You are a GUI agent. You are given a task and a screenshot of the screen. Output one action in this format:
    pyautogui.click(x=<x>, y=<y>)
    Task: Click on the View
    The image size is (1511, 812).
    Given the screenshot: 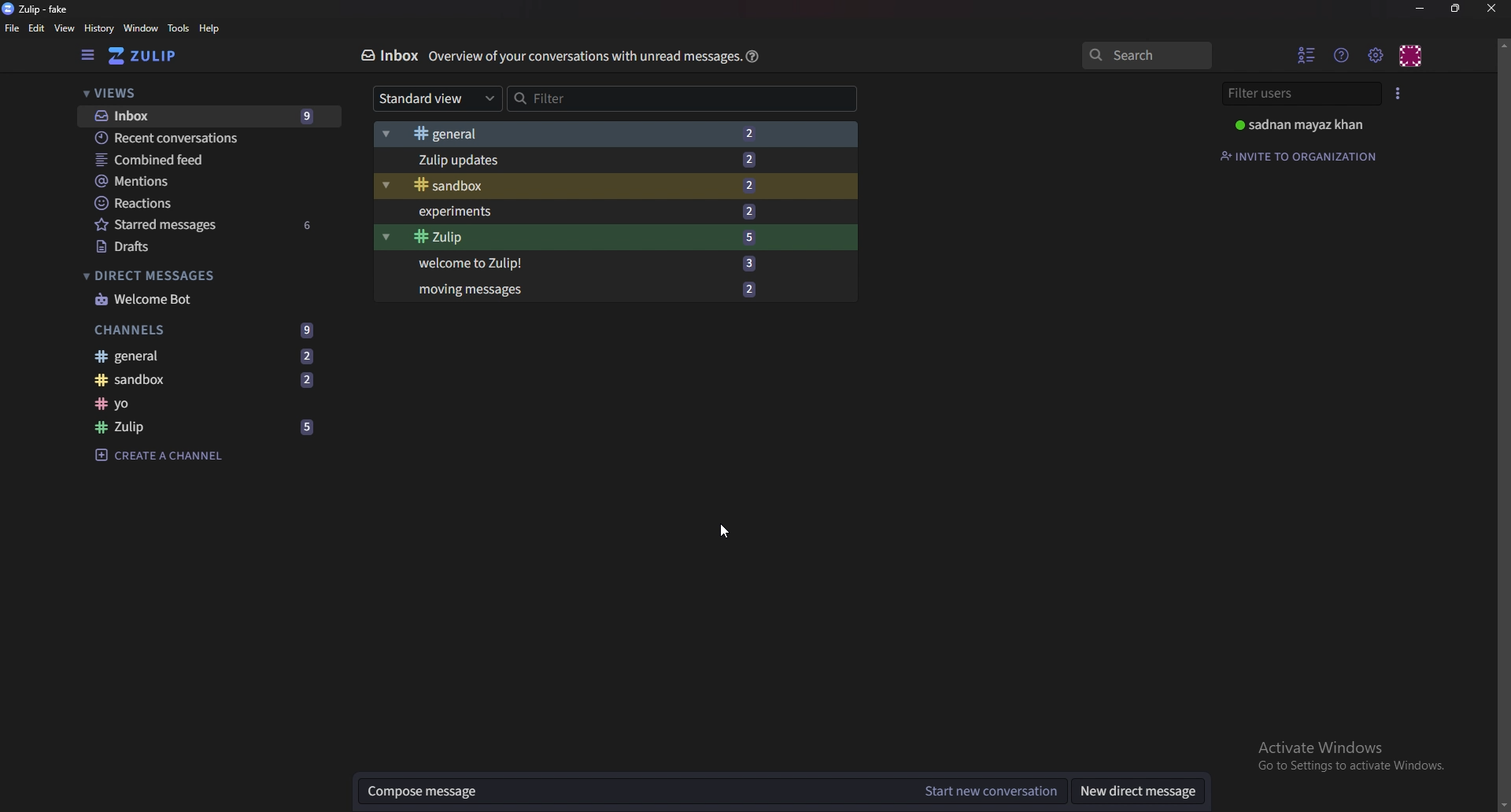 What is the action you would take?
    pyautogui.click(x=65, y=30)
    